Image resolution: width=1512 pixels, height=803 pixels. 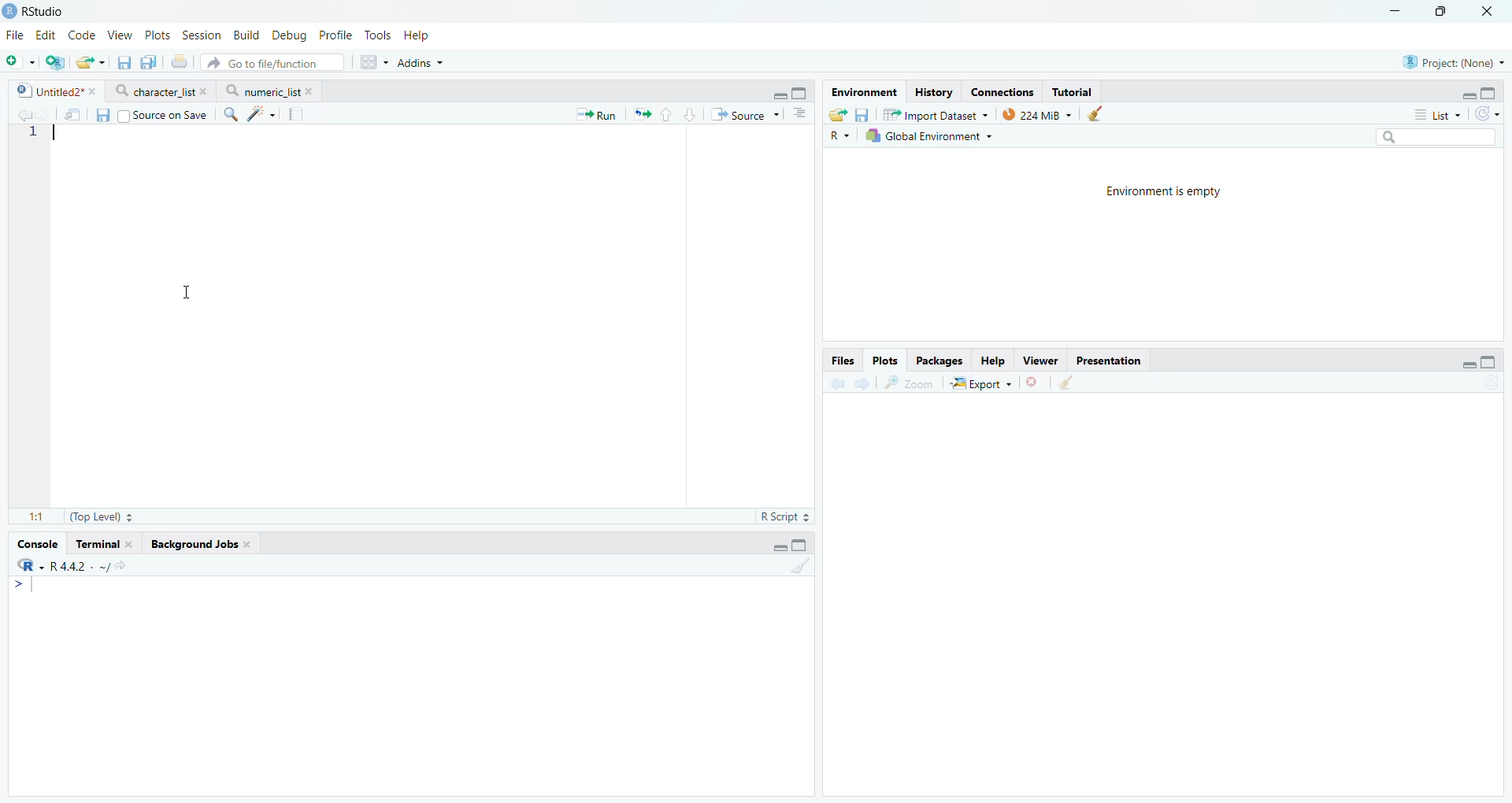 I want to click on Profile, so click(x=335, y=35).